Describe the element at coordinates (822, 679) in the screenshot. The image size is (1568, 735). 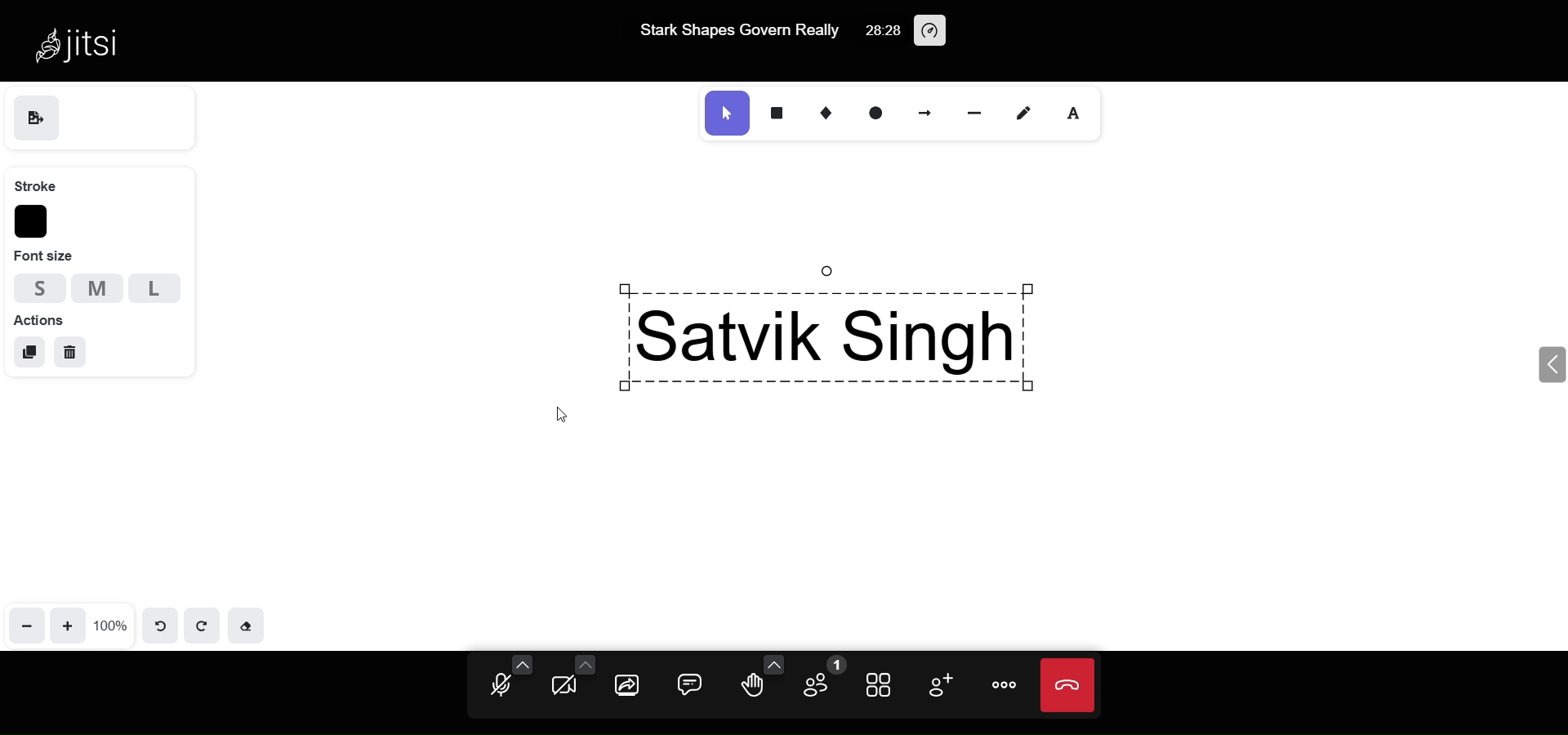
I see `participant` at that location.